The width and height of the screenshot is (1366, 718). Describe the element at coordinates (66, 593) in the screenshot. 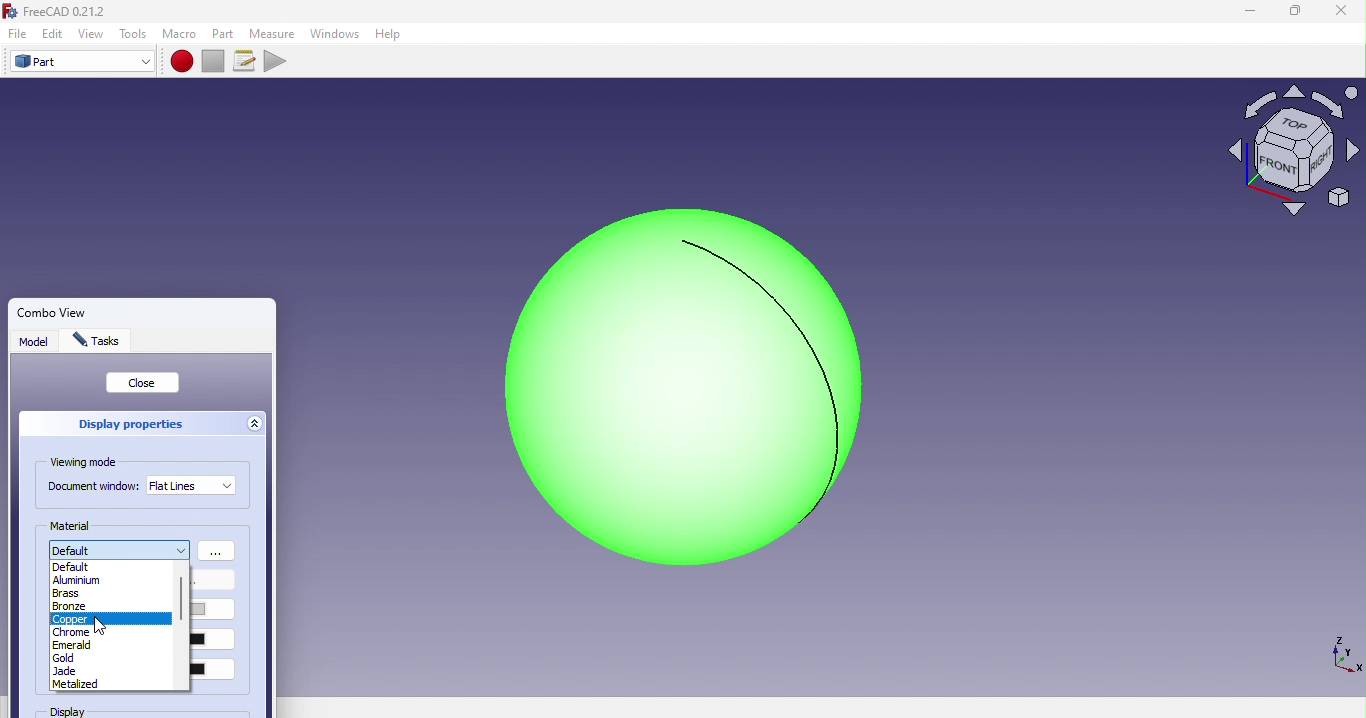

I see `Brass` at that location.